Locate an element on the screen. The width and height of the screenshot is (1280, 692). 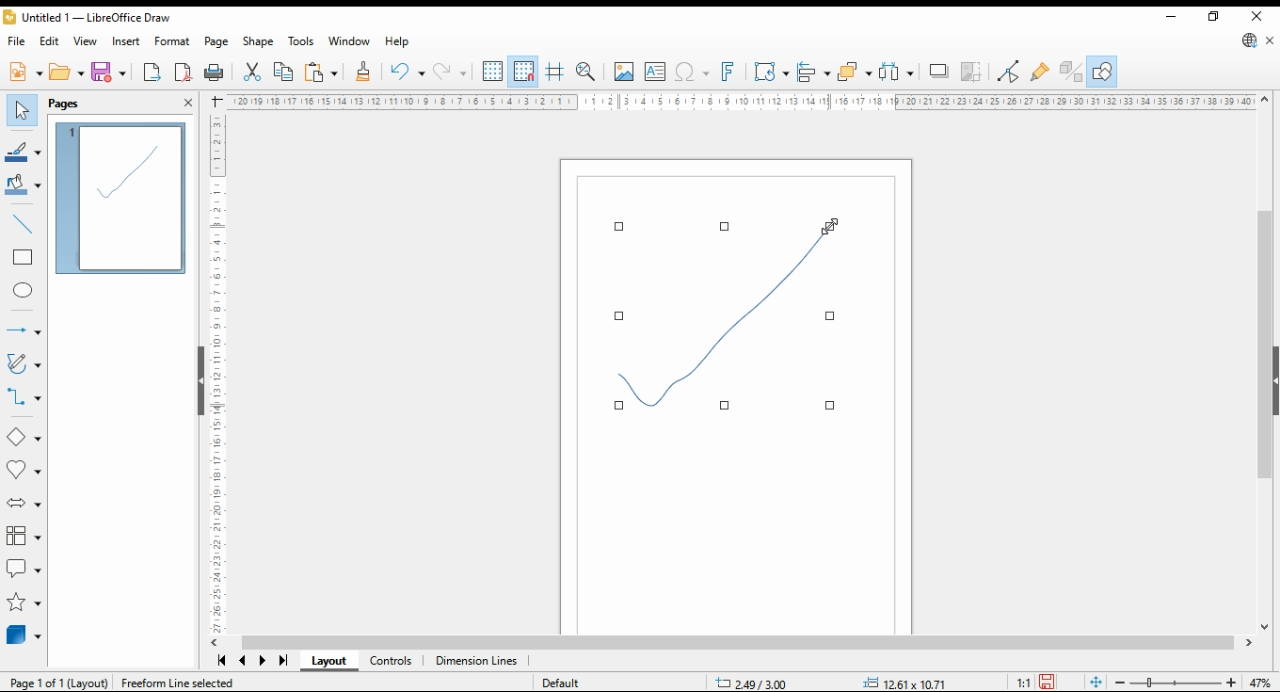
page is located at coordinates (216, 41).